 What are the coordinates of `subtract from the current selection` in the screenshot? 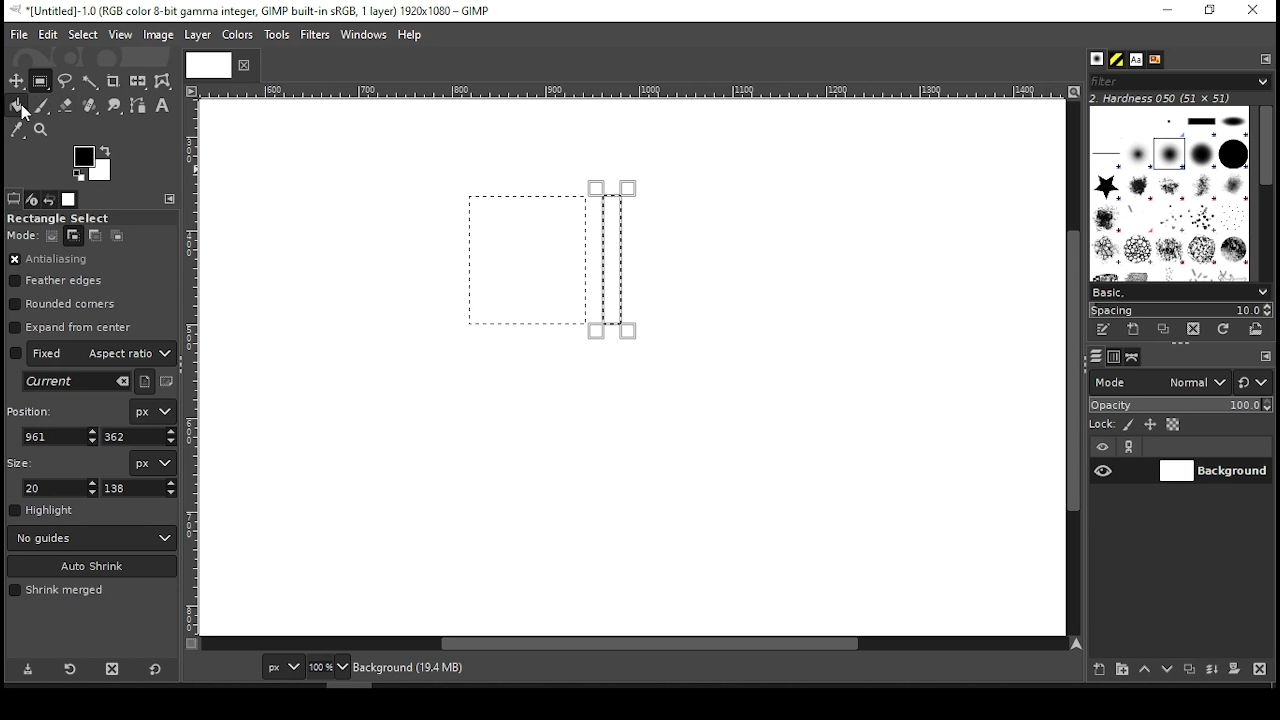 It's located at (94, 236).